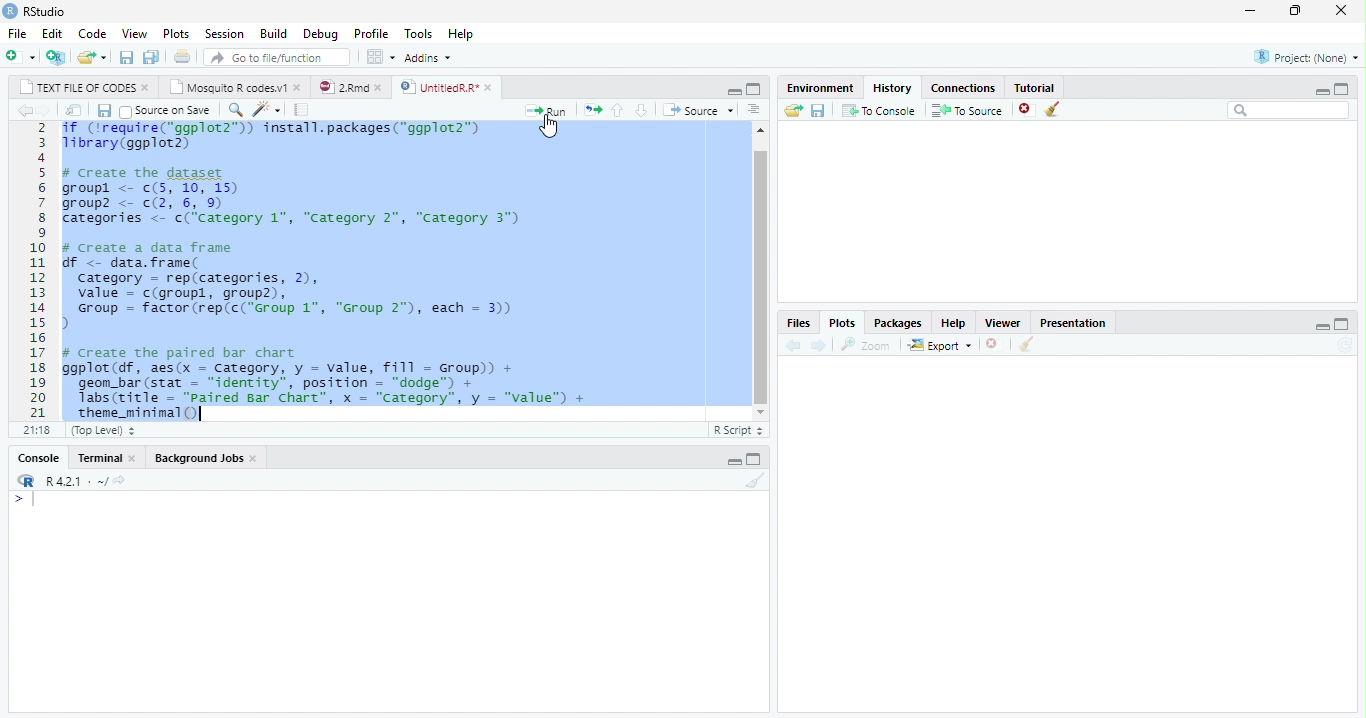 The height and width of the screenshot is (718, 1366). I want to click on sync, so click(1347, 347).